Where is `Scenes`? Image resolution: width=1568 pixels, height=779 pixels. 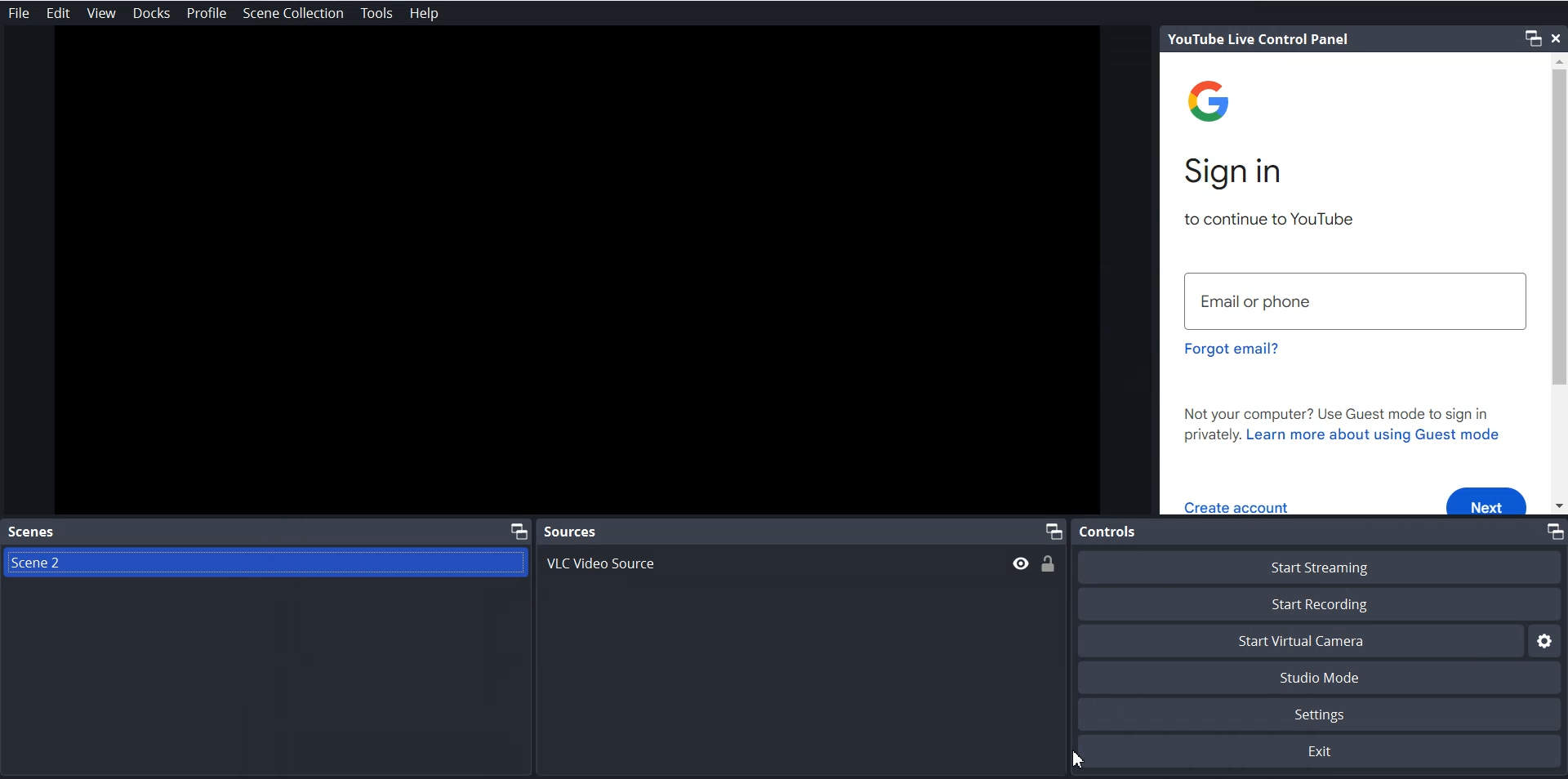 Scenes is located at coordinates (33, 531).